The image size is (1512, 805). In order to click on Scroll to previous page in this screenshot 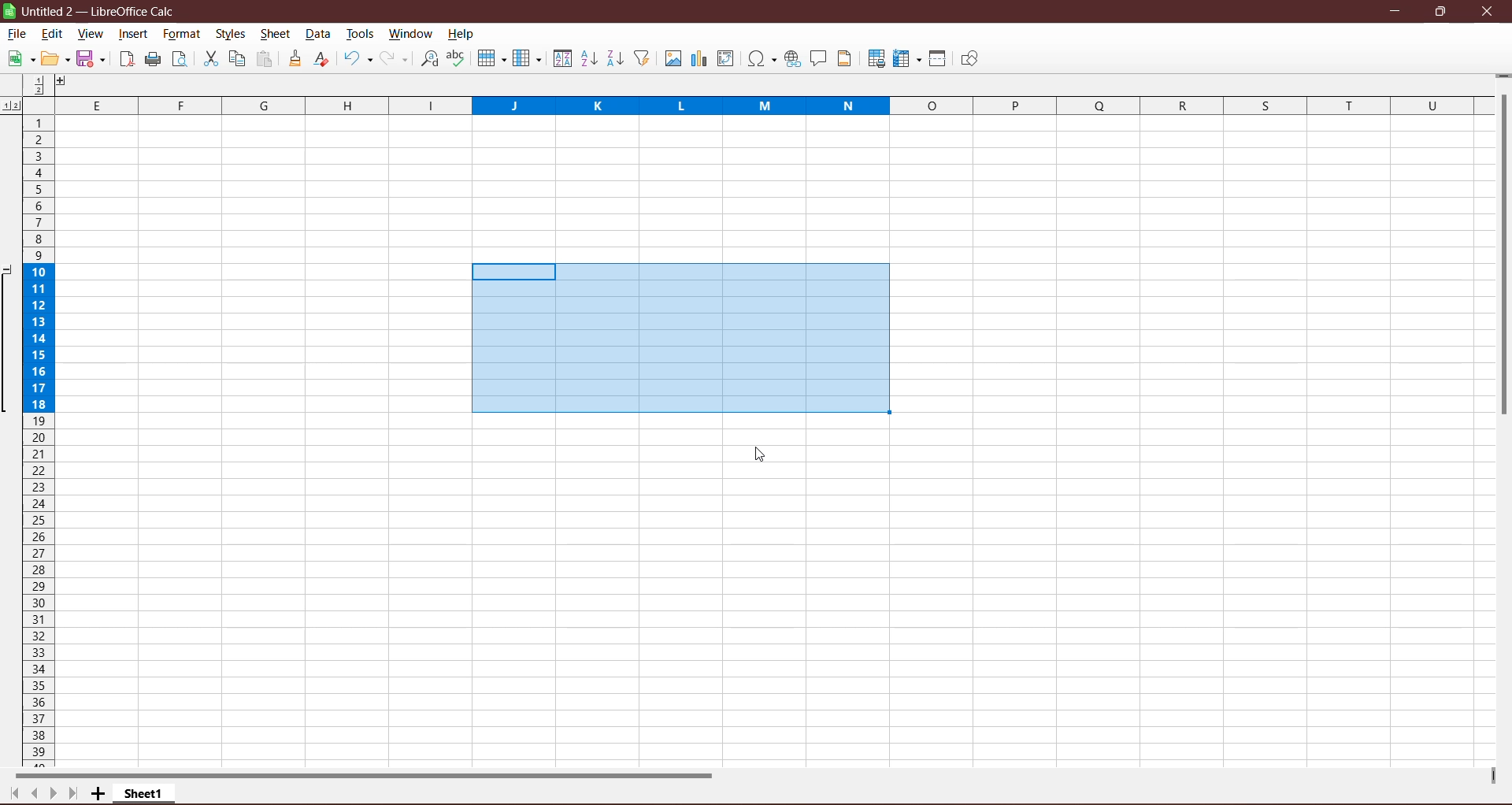, I will do `click(32, 793)`.